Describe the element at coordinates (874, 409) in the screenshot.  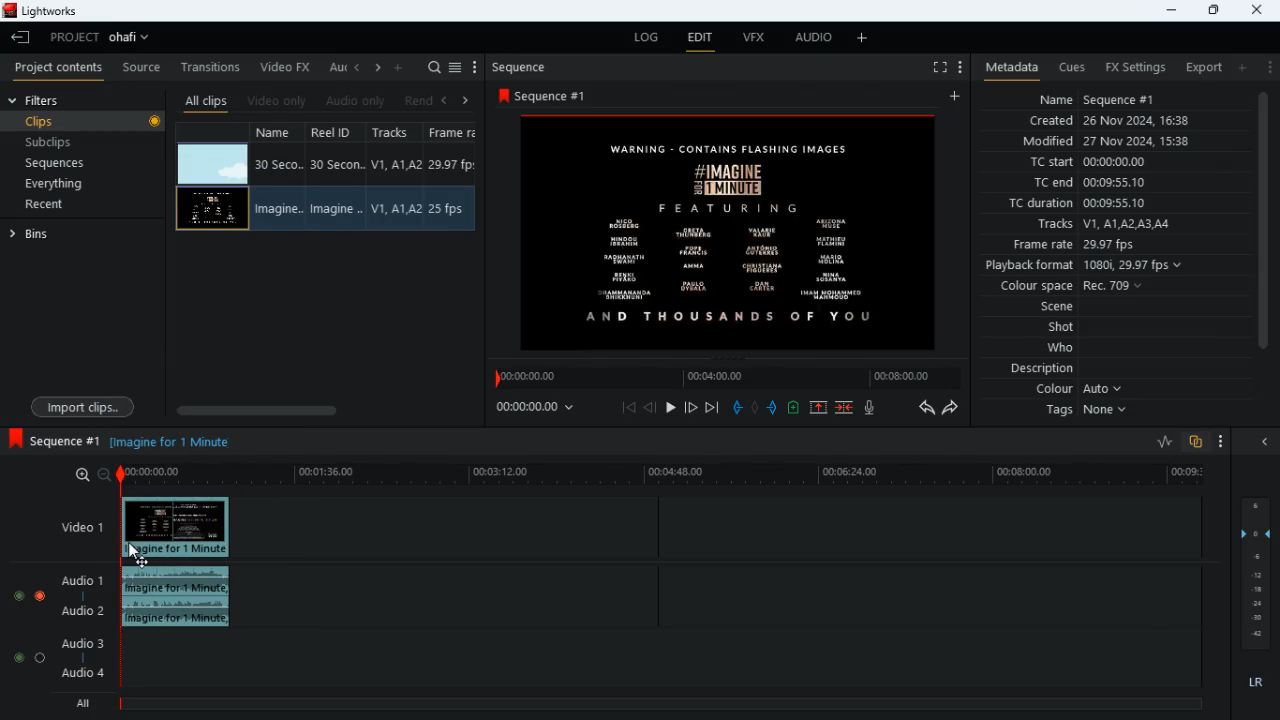
I see `mic` at that location.